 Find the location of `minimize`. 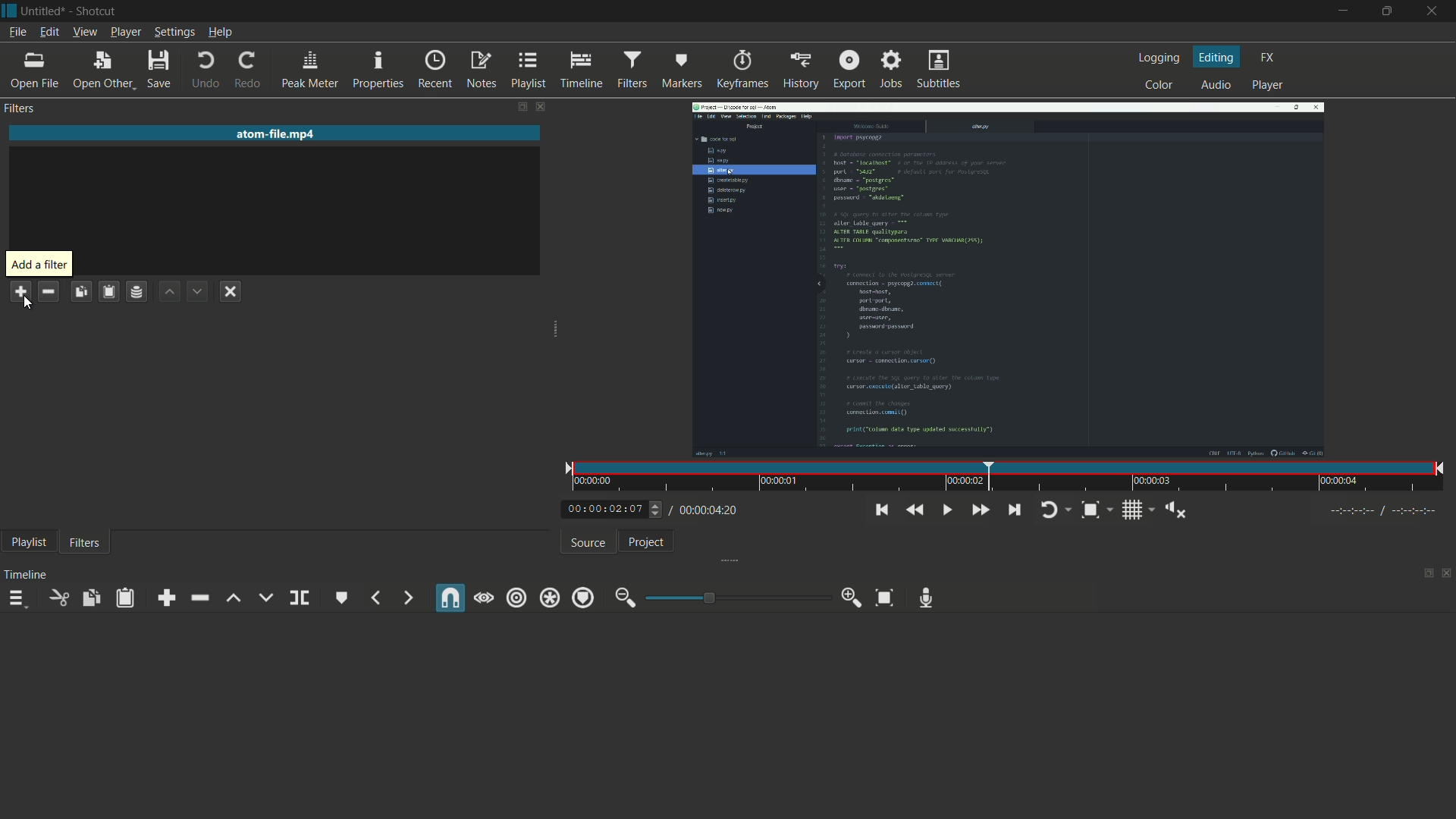

minimize is located at coordinates (1343, 11).